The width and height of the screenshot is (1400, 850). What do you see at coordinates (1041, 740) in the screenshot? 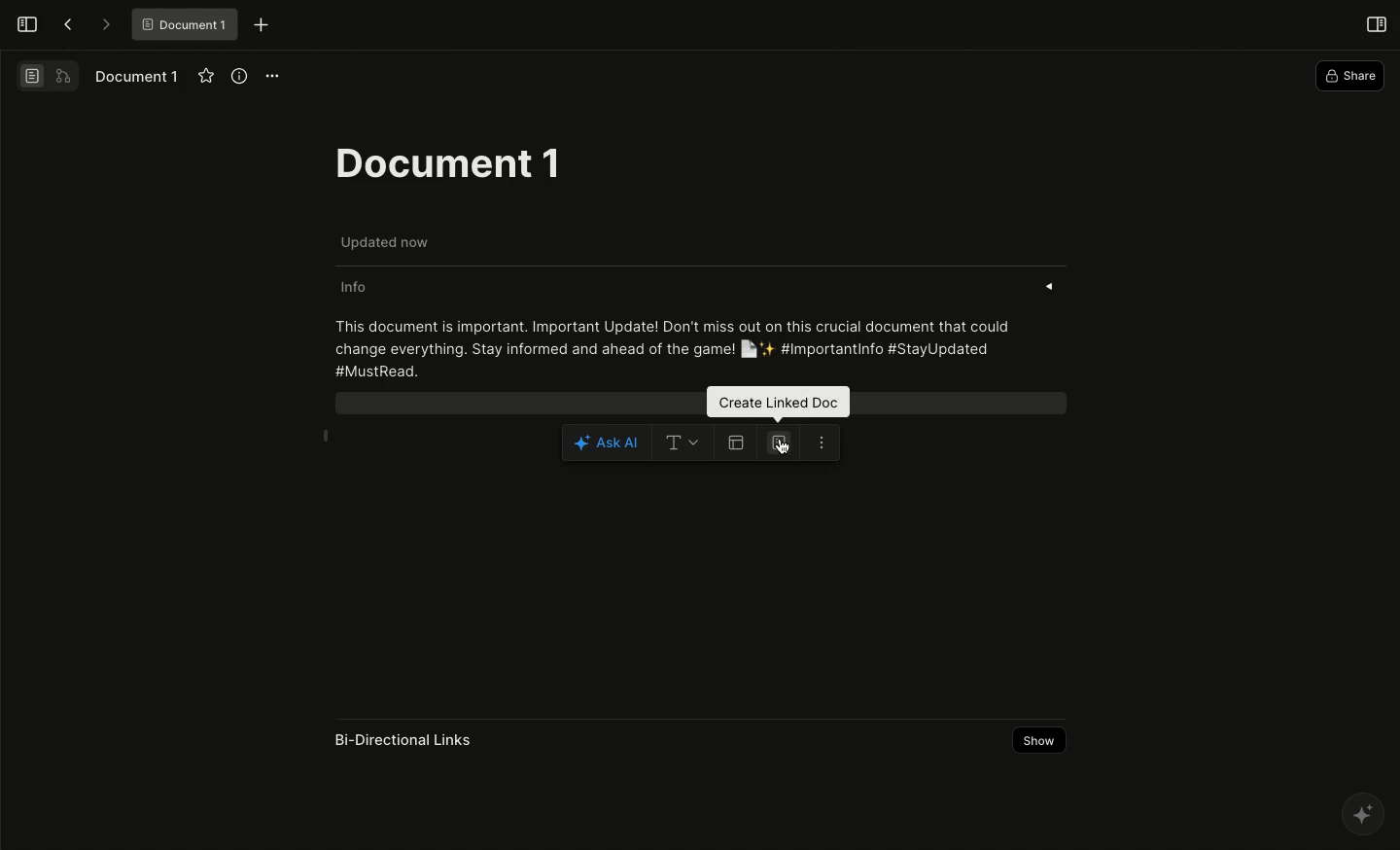
I see `Show` at bounding box center [1041, 740].